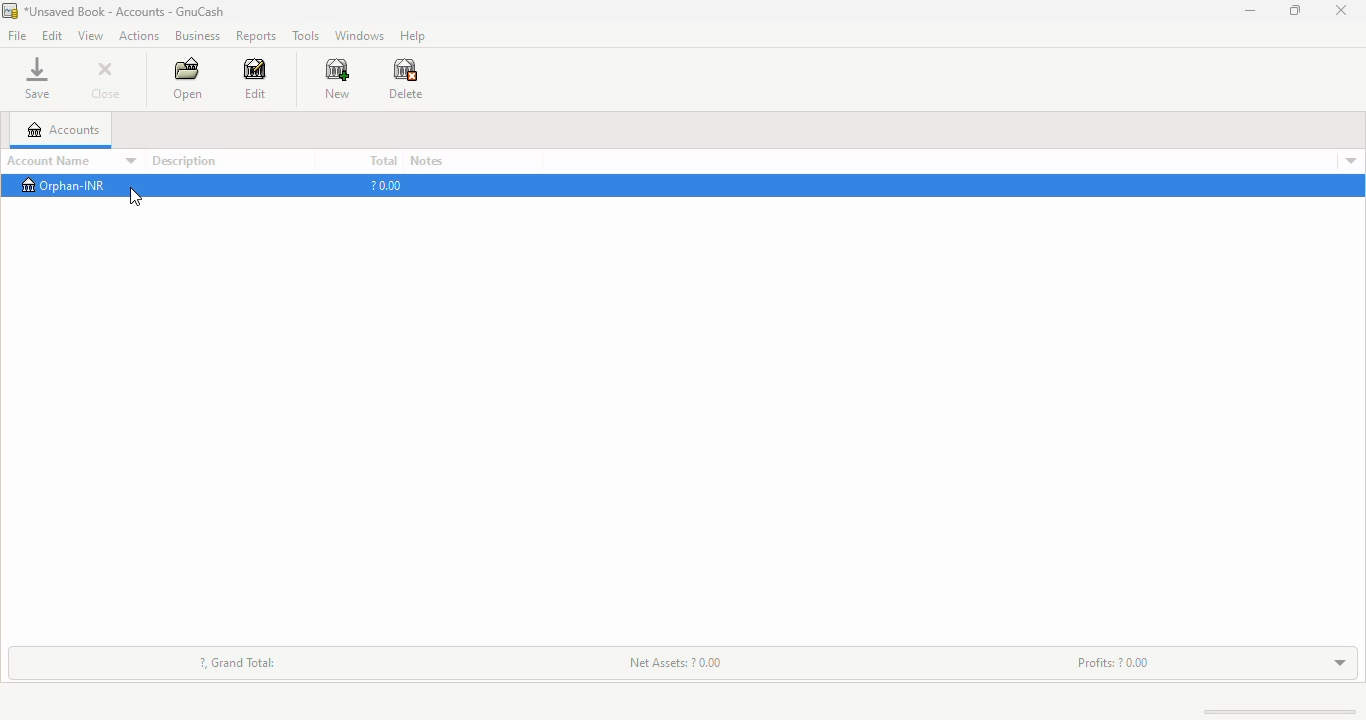 This screenshot has height=720, width=1366. What do you see at coordinates (53, 35) in the screenshot?
I see `edit` at bounding box center [53, 35].